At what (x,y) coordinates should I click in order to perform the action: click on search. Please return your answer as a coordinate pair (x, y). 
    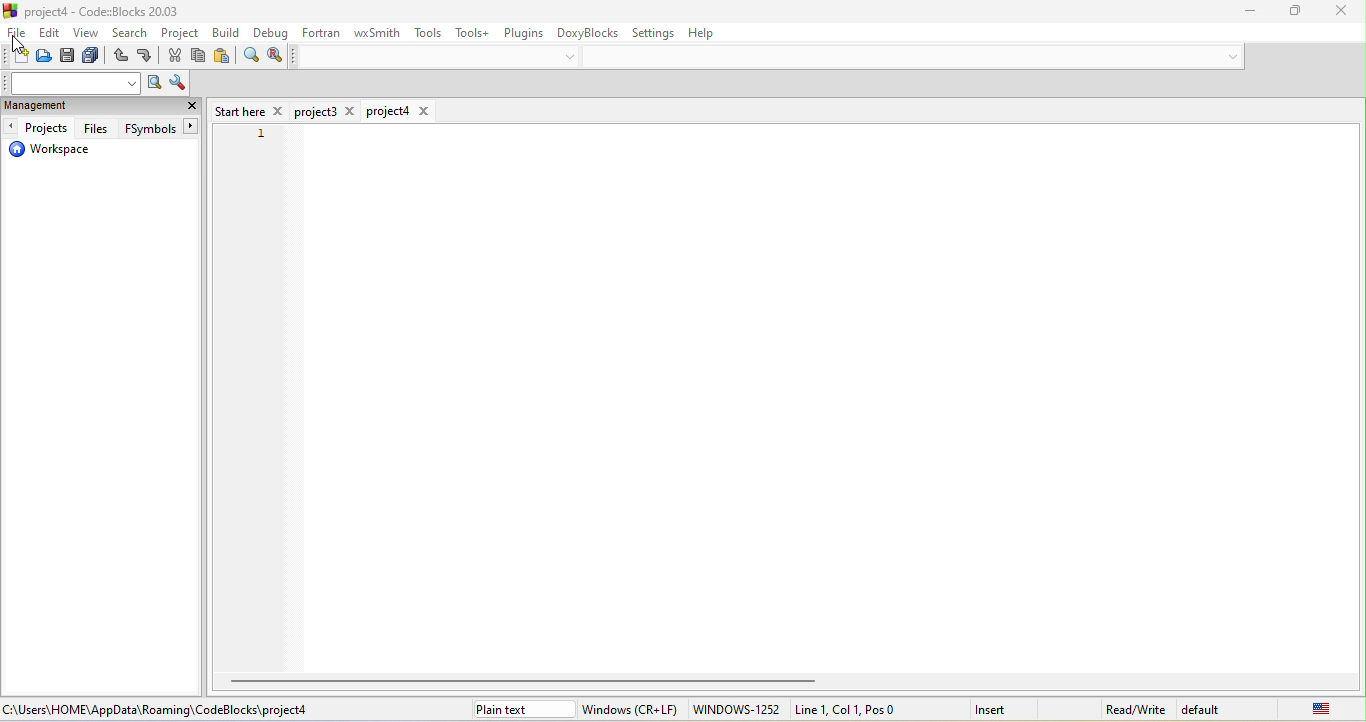
    Looking at the image, I should click on (132, 35).